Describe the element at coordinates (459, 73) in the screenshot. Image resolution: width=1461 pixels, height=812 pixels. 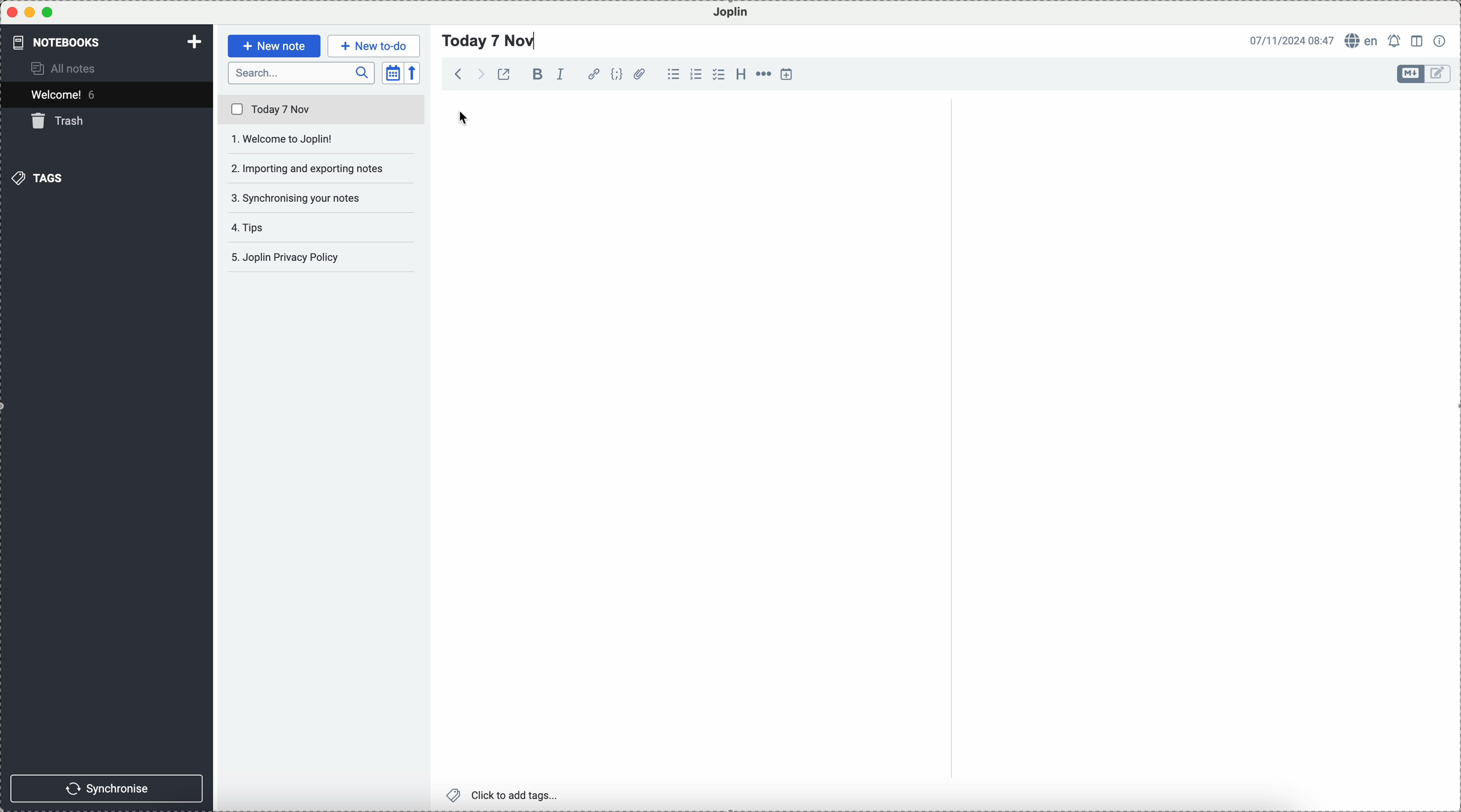
I see `back` at that location.